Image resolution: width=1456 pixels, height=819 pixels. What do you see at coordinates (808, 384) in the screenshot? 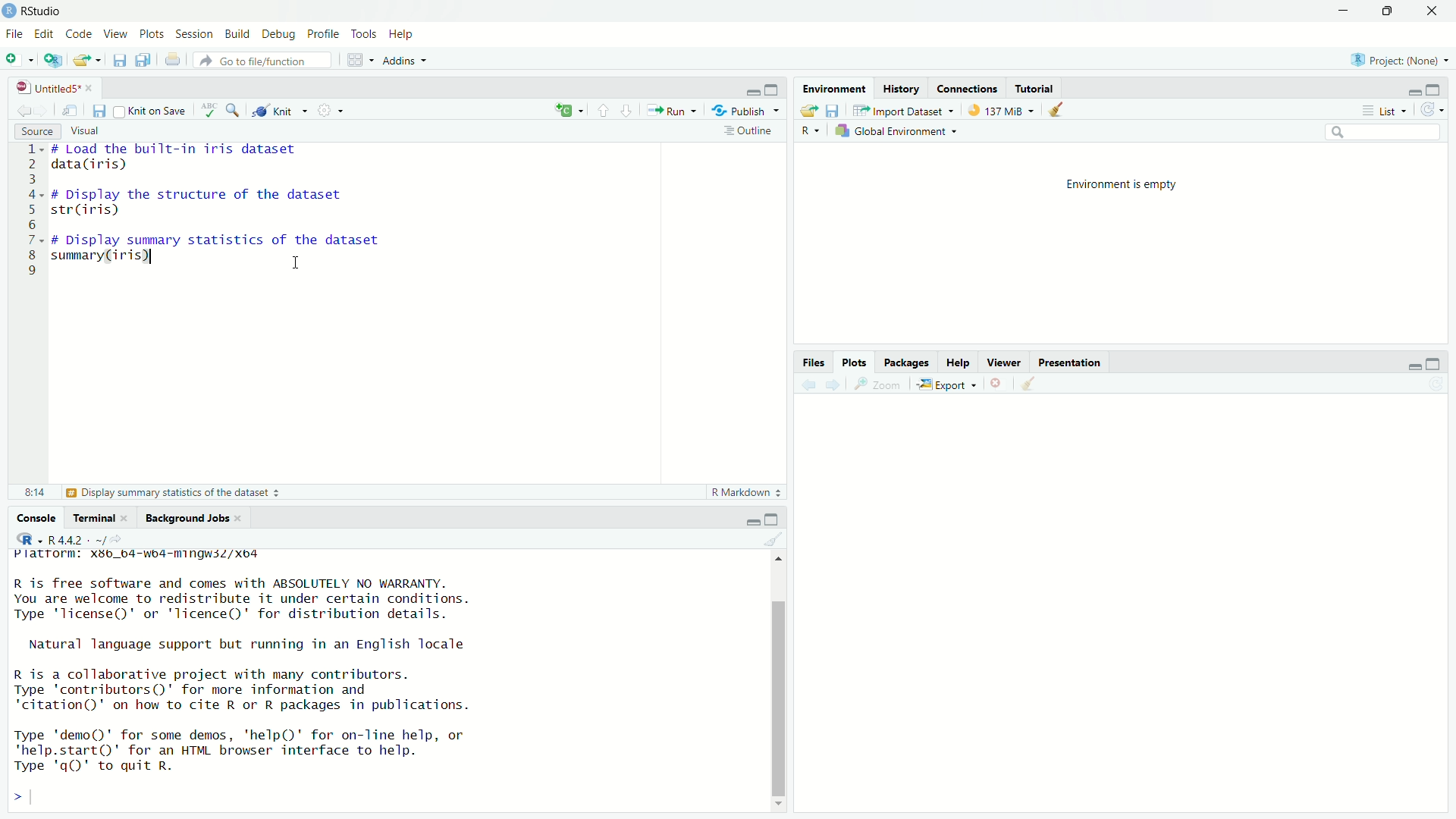
I see `Previous plot` at bounding box center [808, 384].